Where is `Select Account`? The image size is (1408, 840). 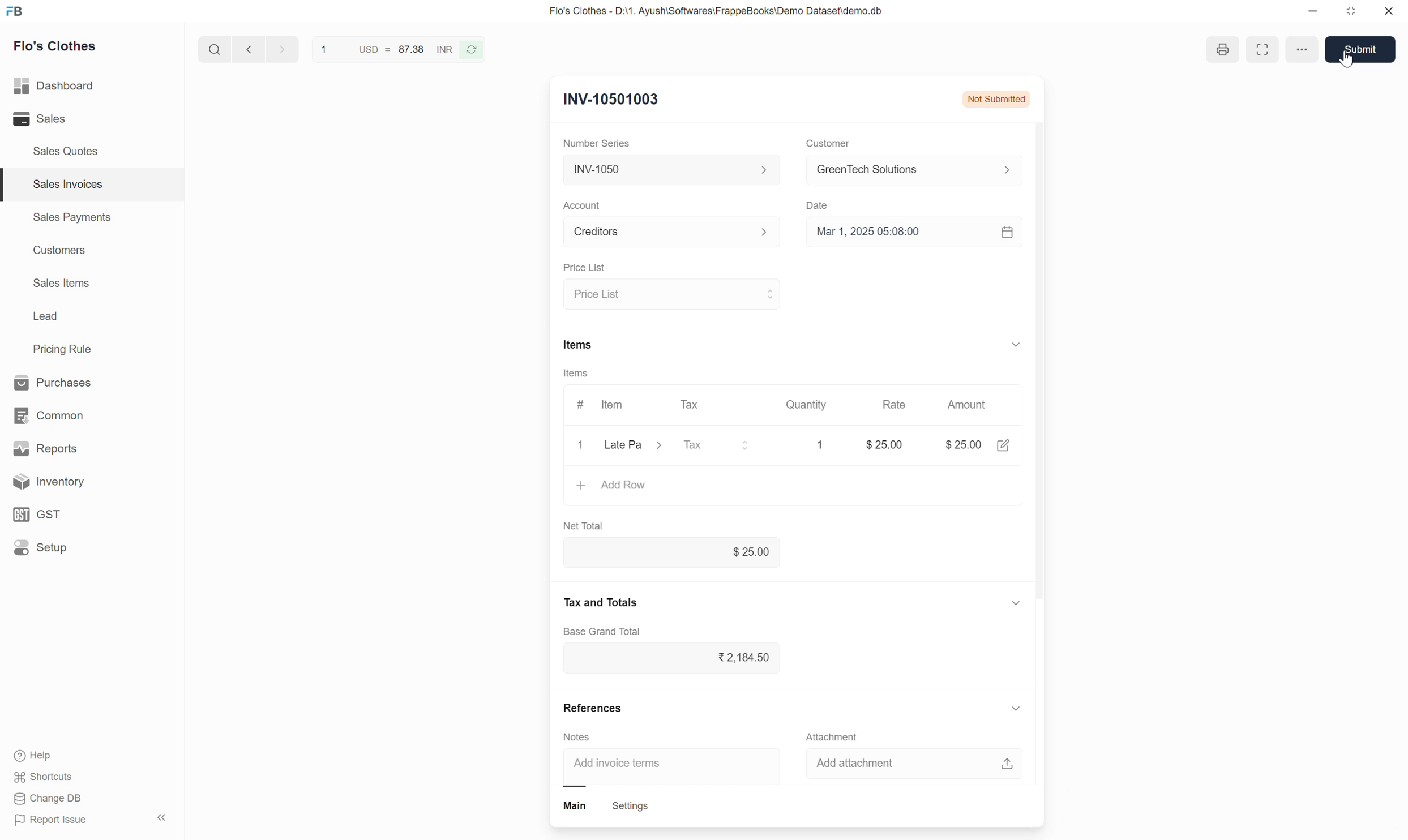
Select Account is located at coordinates (666, 235).